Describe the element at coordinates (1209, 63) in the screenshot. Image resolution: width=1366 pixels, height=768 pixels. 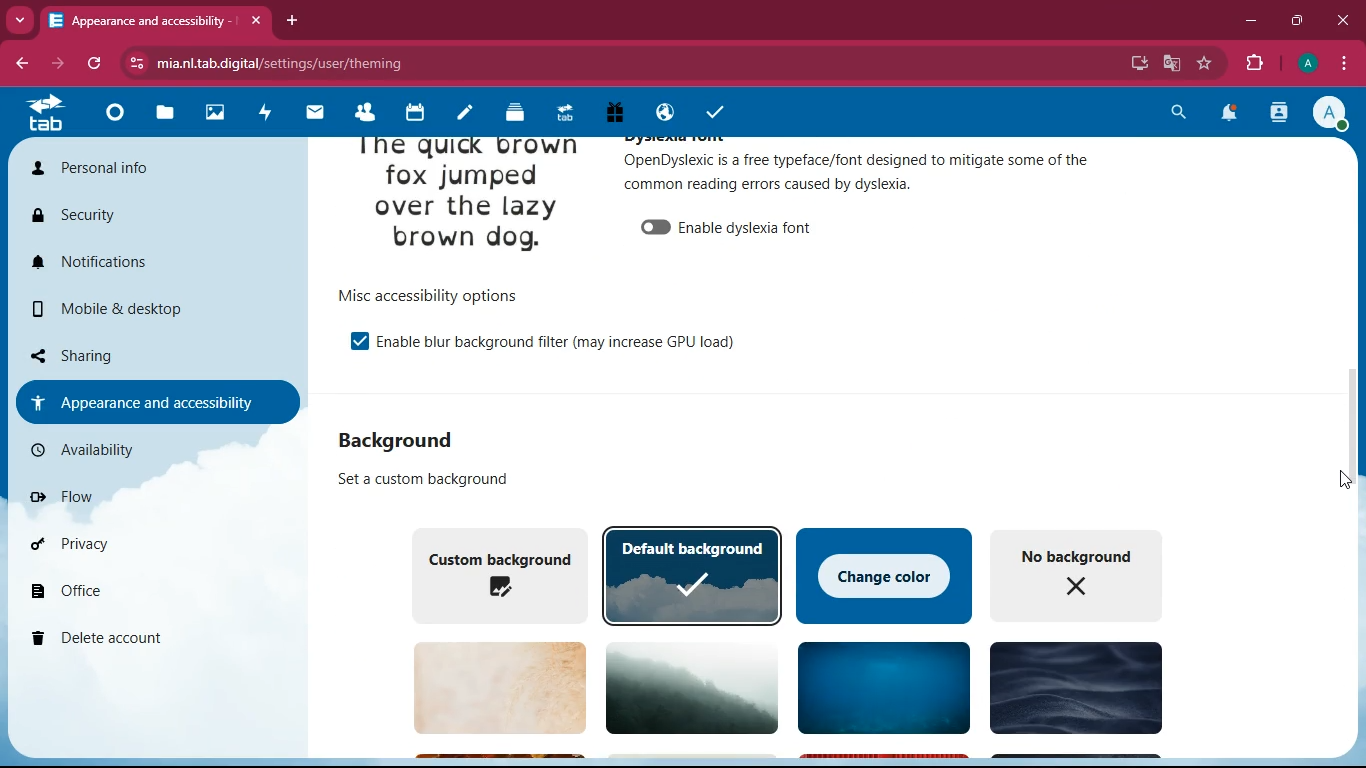
I see `favourite` at that location.